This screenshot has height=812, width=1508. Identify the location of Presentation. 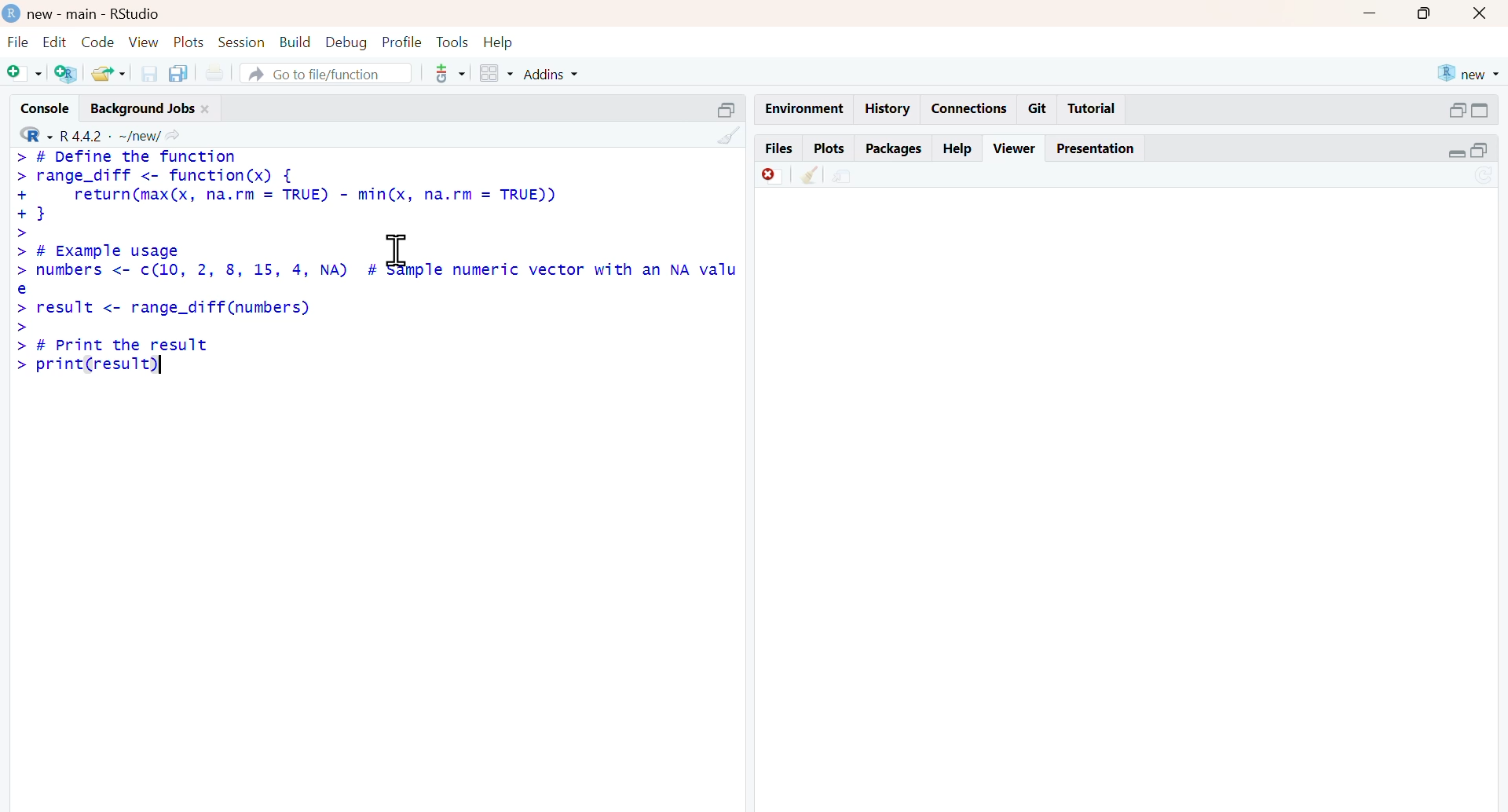
(1096, 148).